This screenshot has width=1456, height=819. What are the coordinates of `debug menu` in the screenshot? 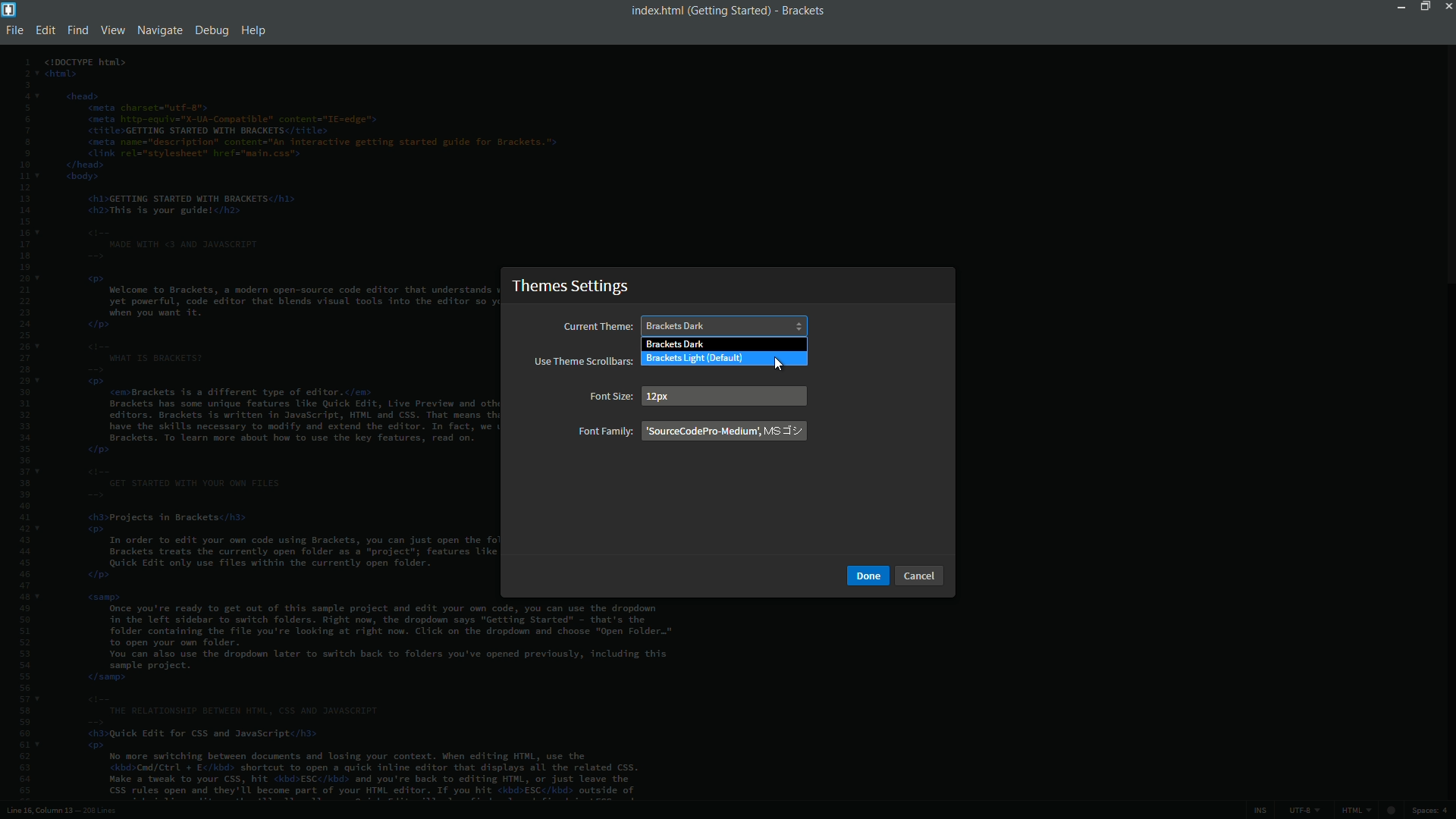 It's located at (210, 32).